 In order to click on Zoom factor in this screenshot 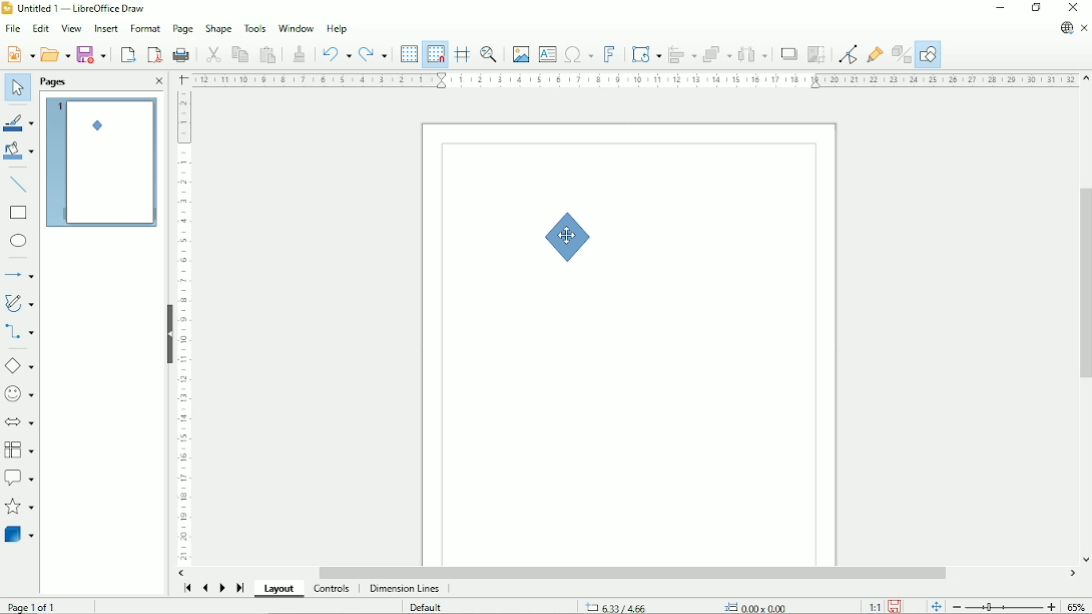, I will do `click(1076, 604)`.